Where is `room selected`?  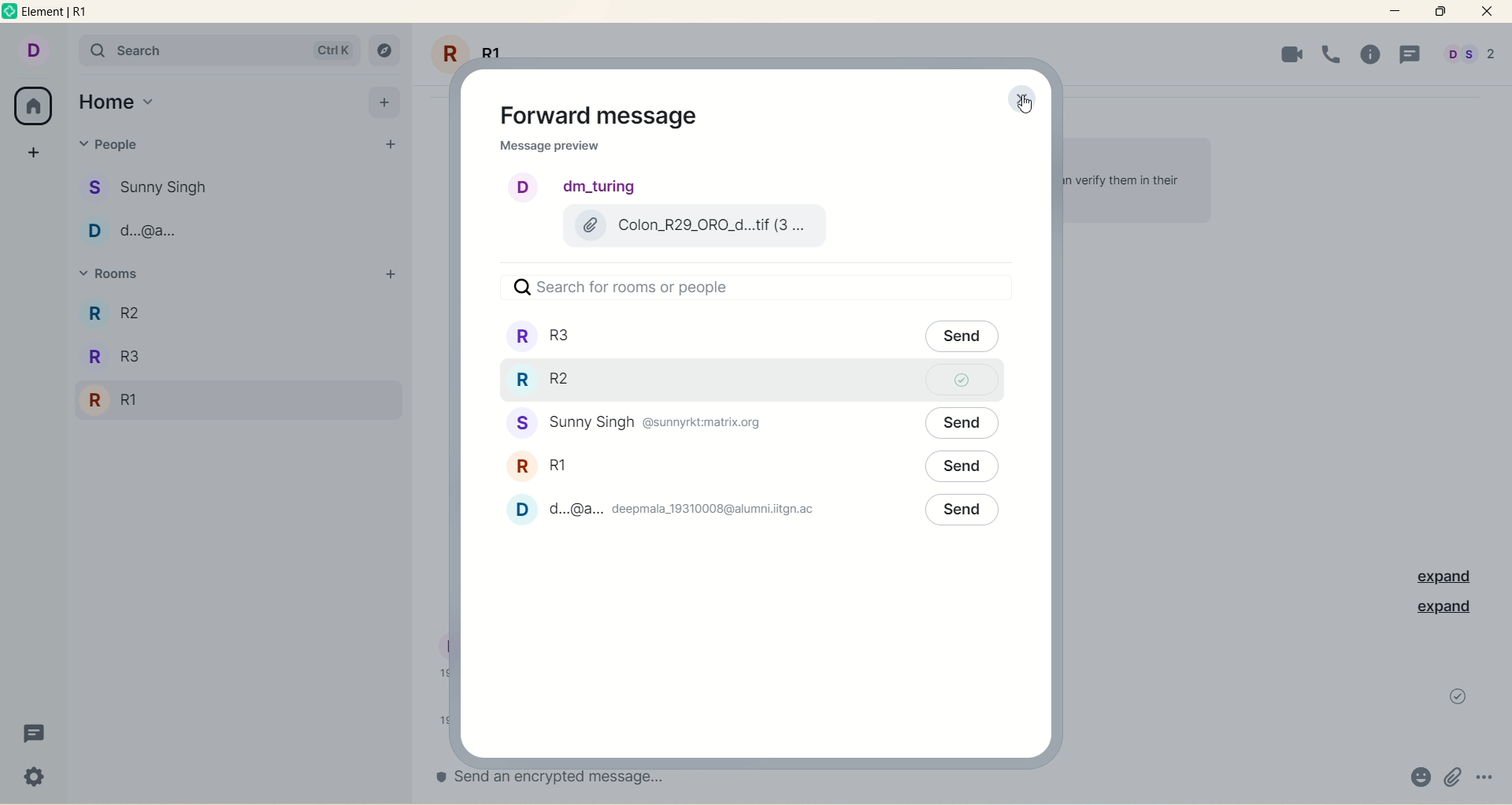
room selected is located at coordinates (743, 382).